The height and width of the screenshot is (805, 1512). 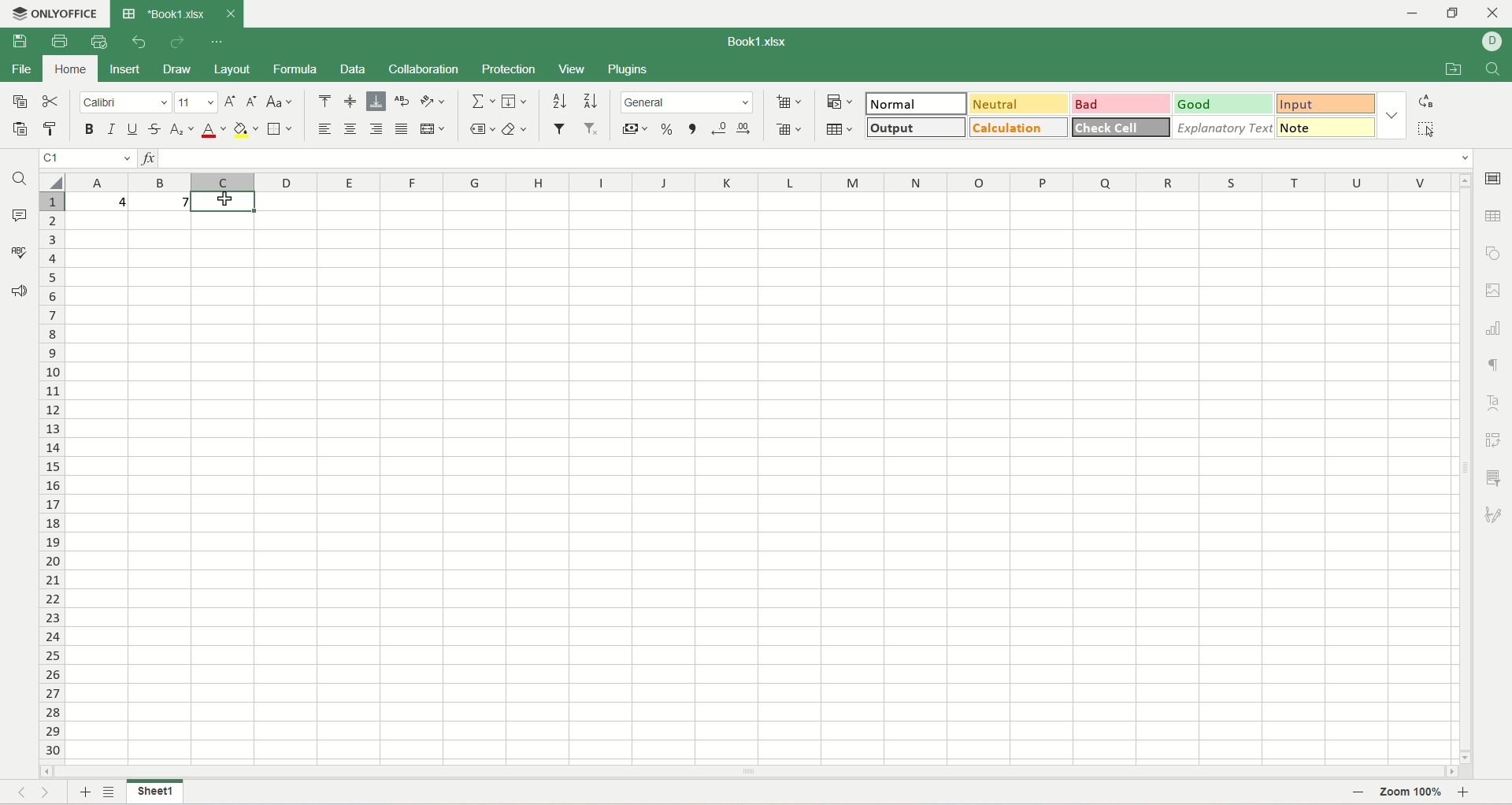 What do you see at coordinates (128, 13) in the screenshot?
I see `application icon` at bounding box center [128, 13].